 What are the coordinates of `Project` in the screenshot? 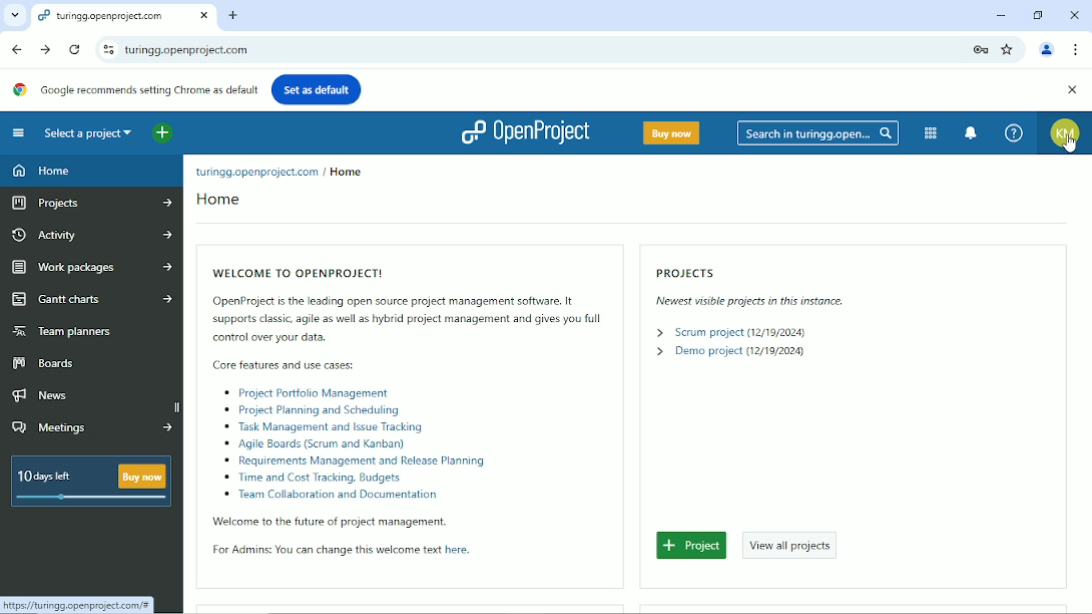 It's located at (693, 546).